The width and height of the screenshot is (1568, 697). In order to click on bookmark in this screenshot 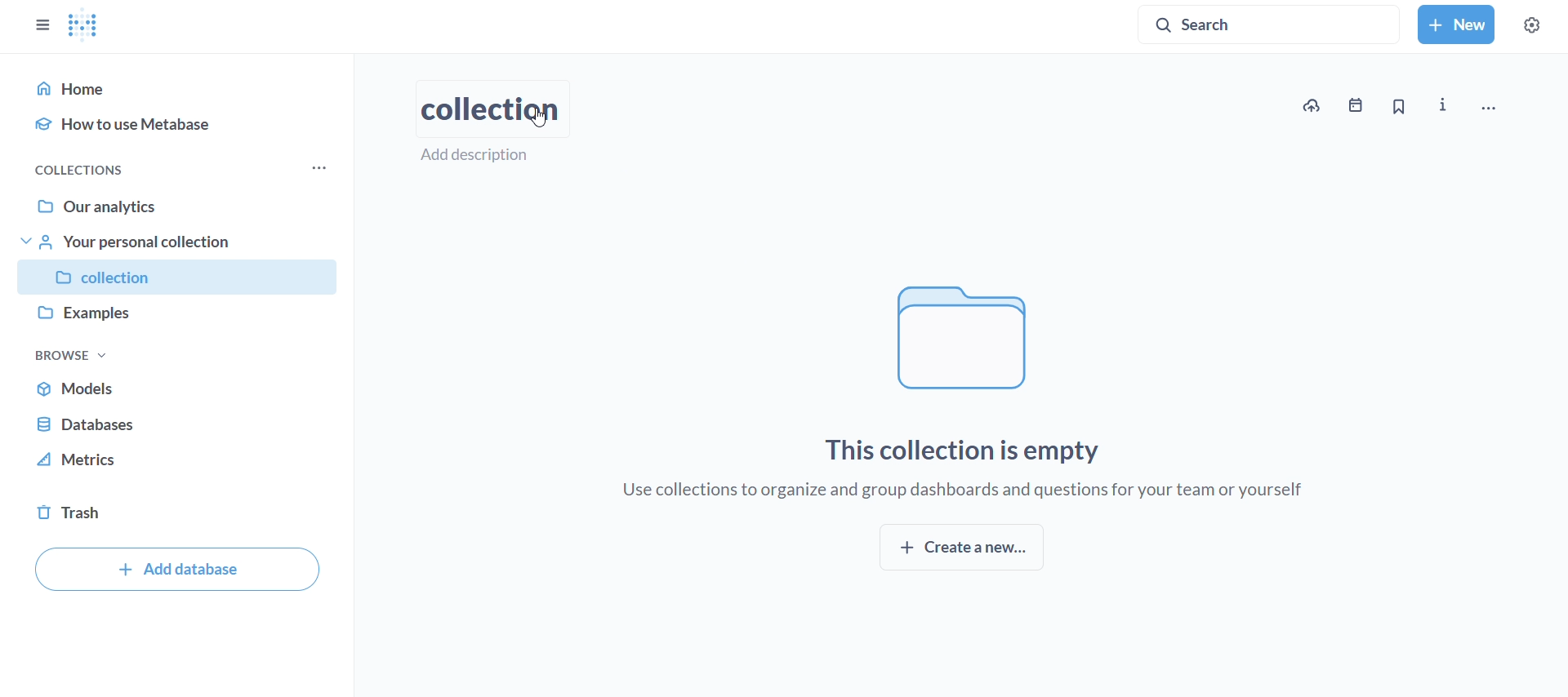, I will do `click(1399, 108)`.